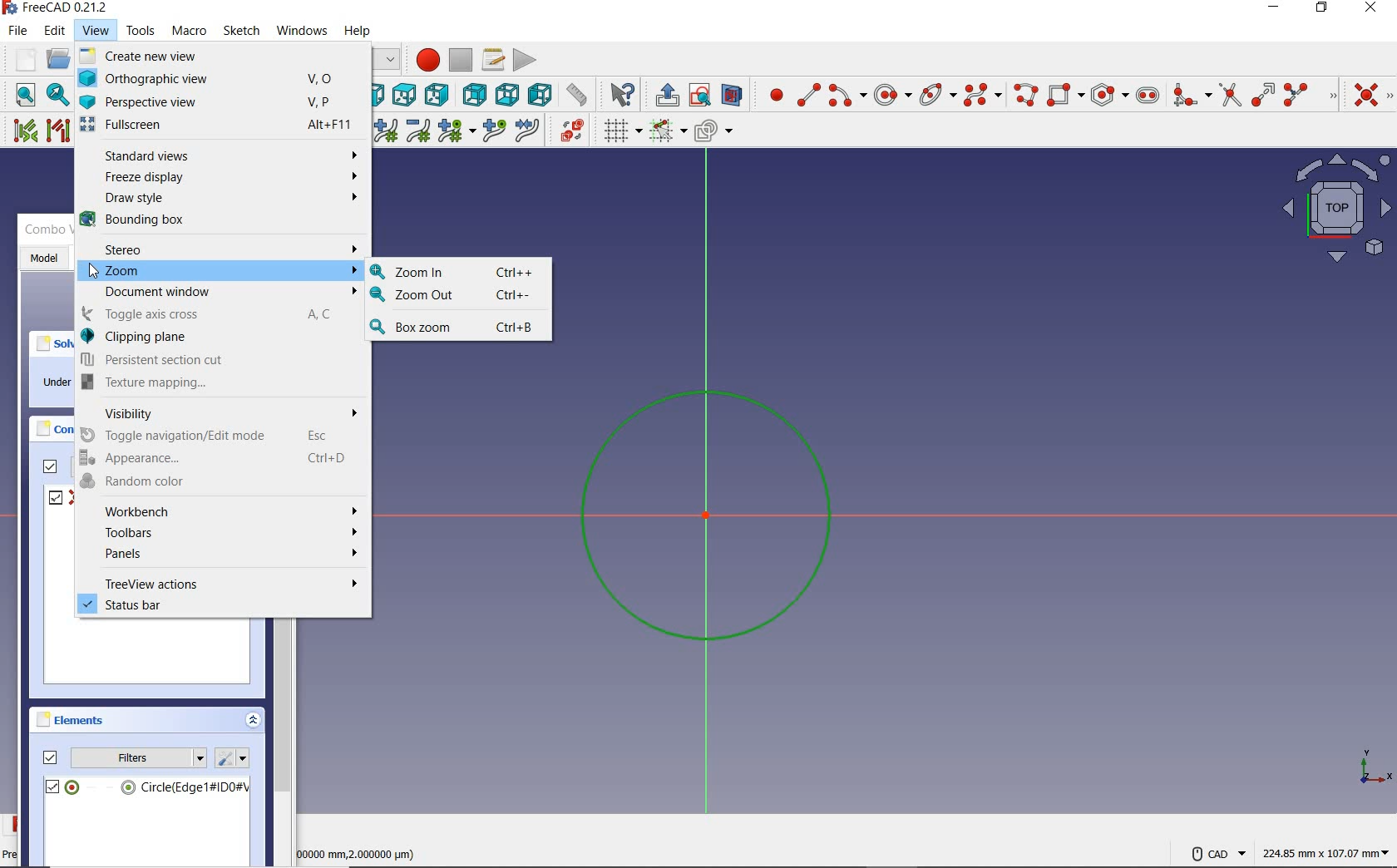 The height and width of the screenshot is (868, 1397). What do you see at coordinates (22, 95) in the screenshot?
I see `fit all` at bounding box center [22, 95].